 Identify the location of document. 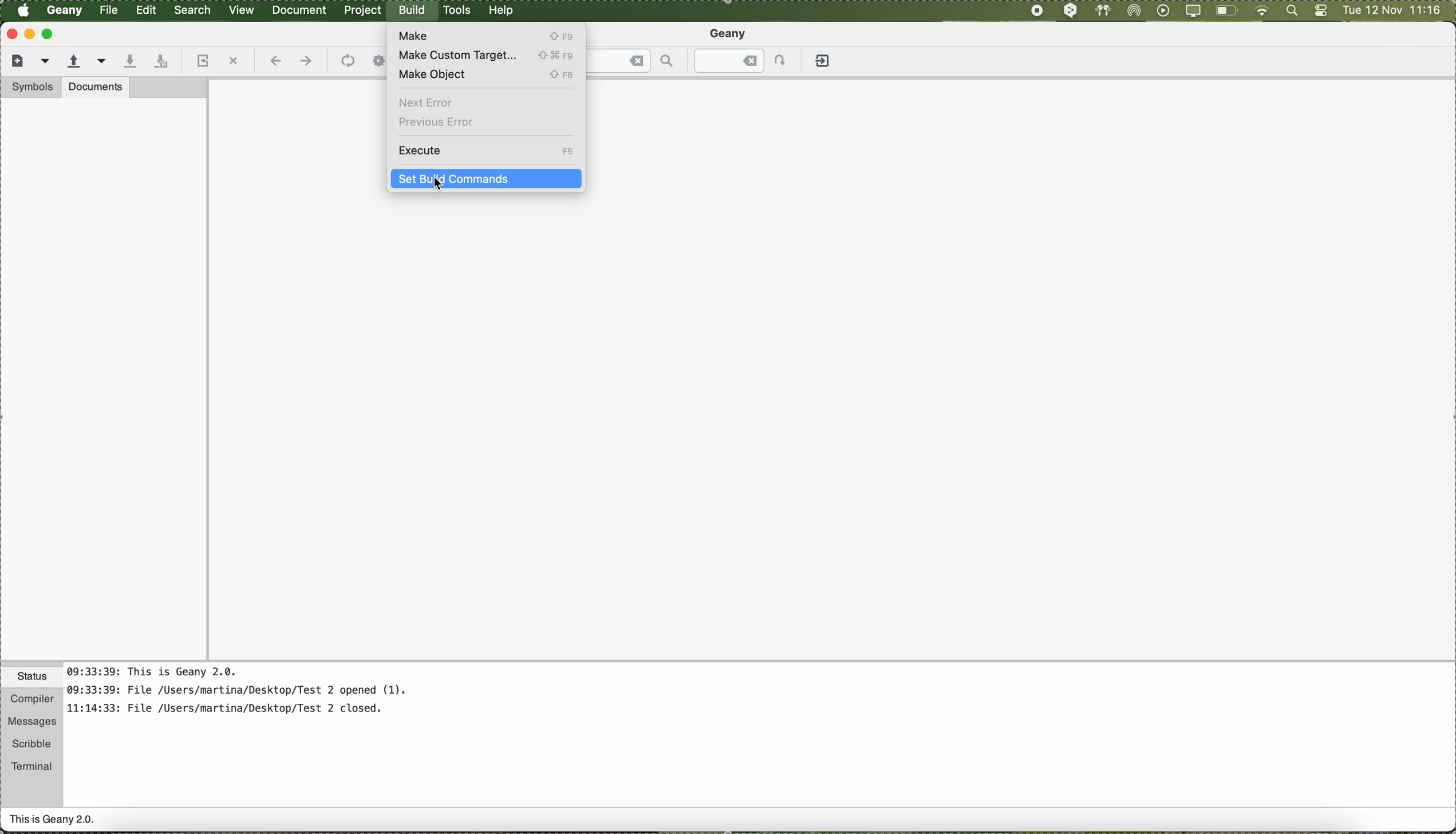
(299, 9).